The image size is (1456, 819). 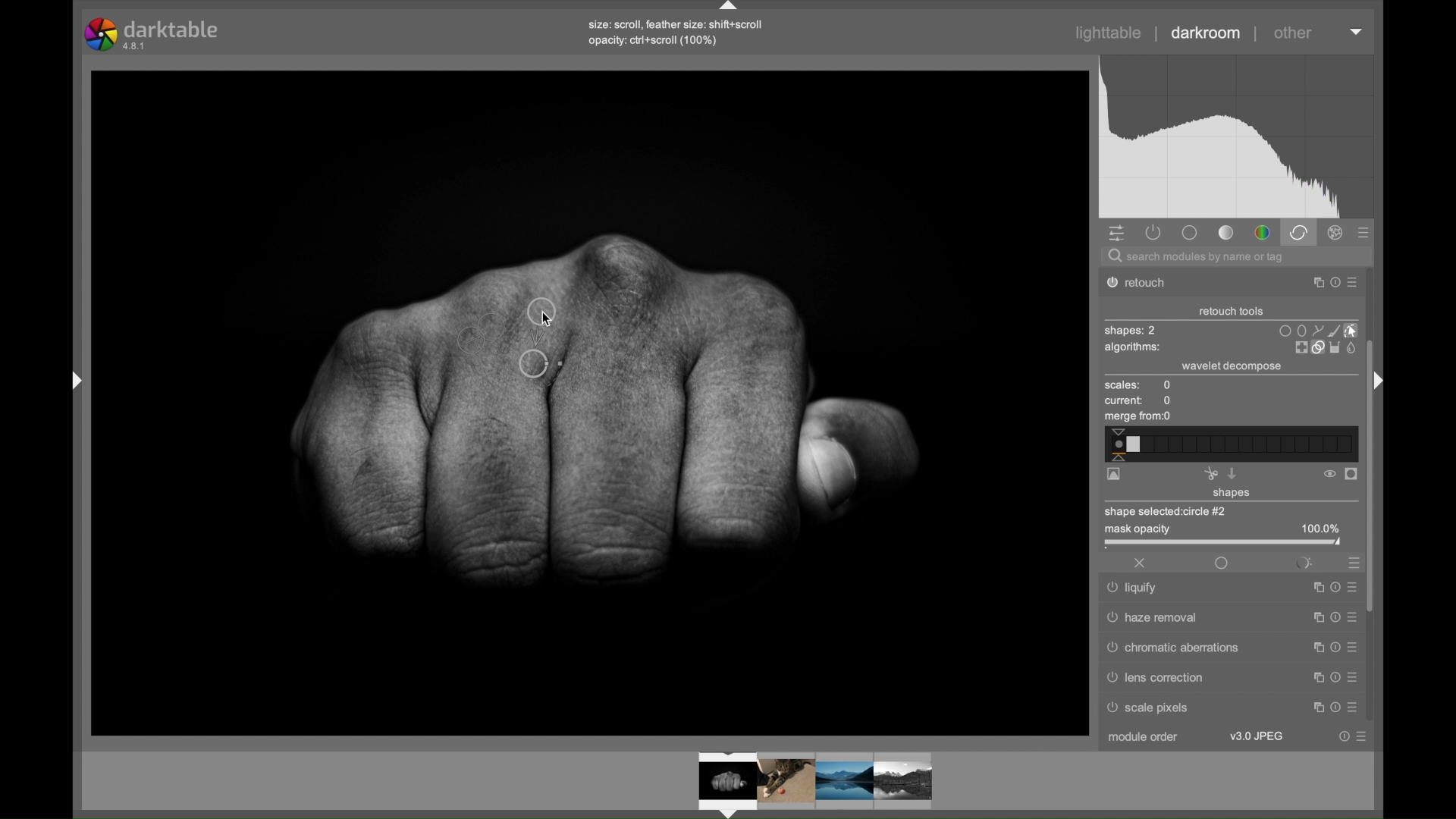 What do you see at coordinates (153, 34) in the screenshot?
I see `darktable` at bounding box center [153, 34].